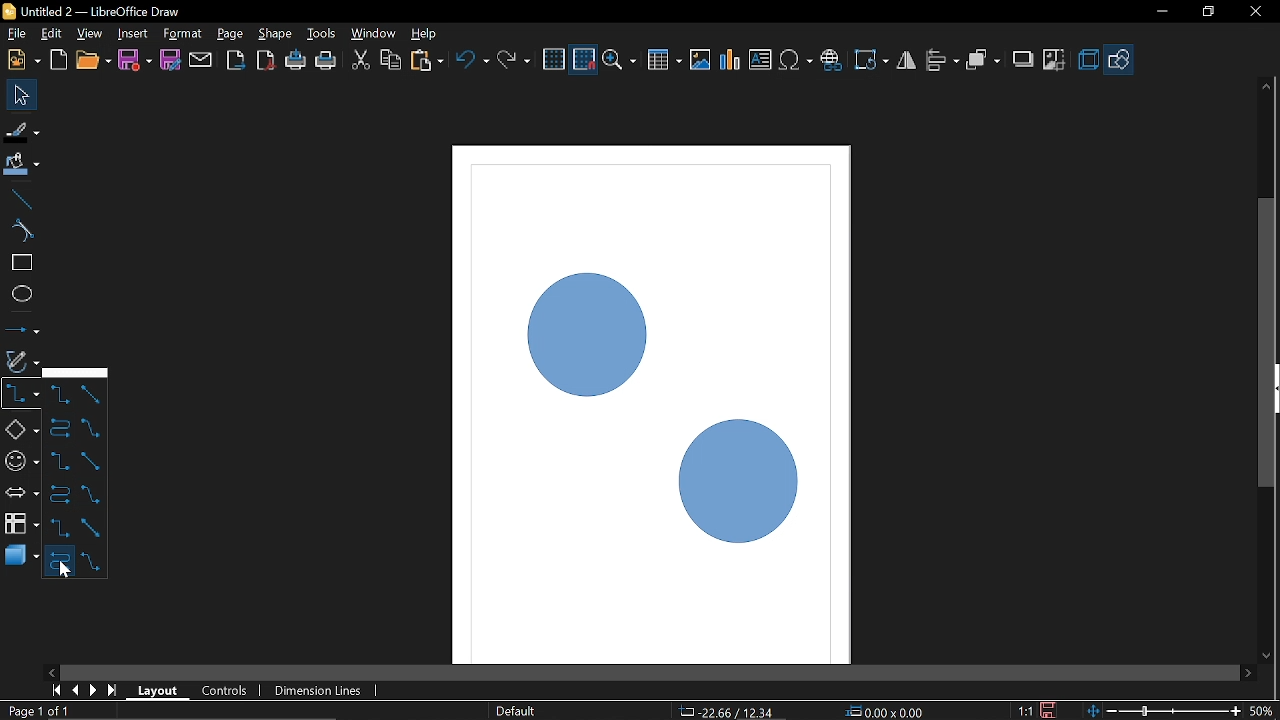 The height and width of the screenshot is (720, 1280). Describe the element at coordinates (730, 711) in the screenshot. I see `CO-ordinates` at that location.